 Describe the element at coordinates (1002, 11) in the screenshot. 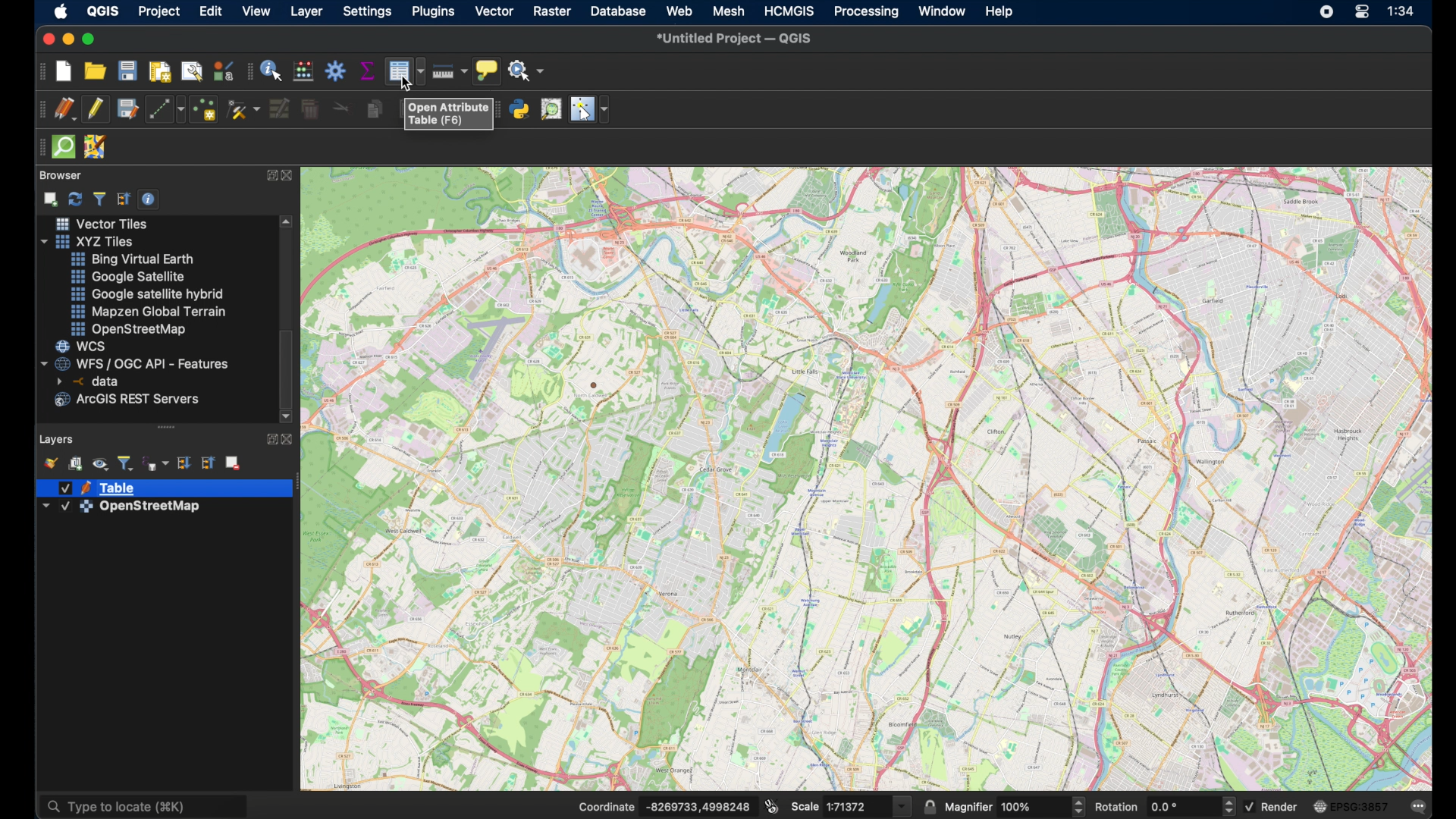

I see `help` at that location.